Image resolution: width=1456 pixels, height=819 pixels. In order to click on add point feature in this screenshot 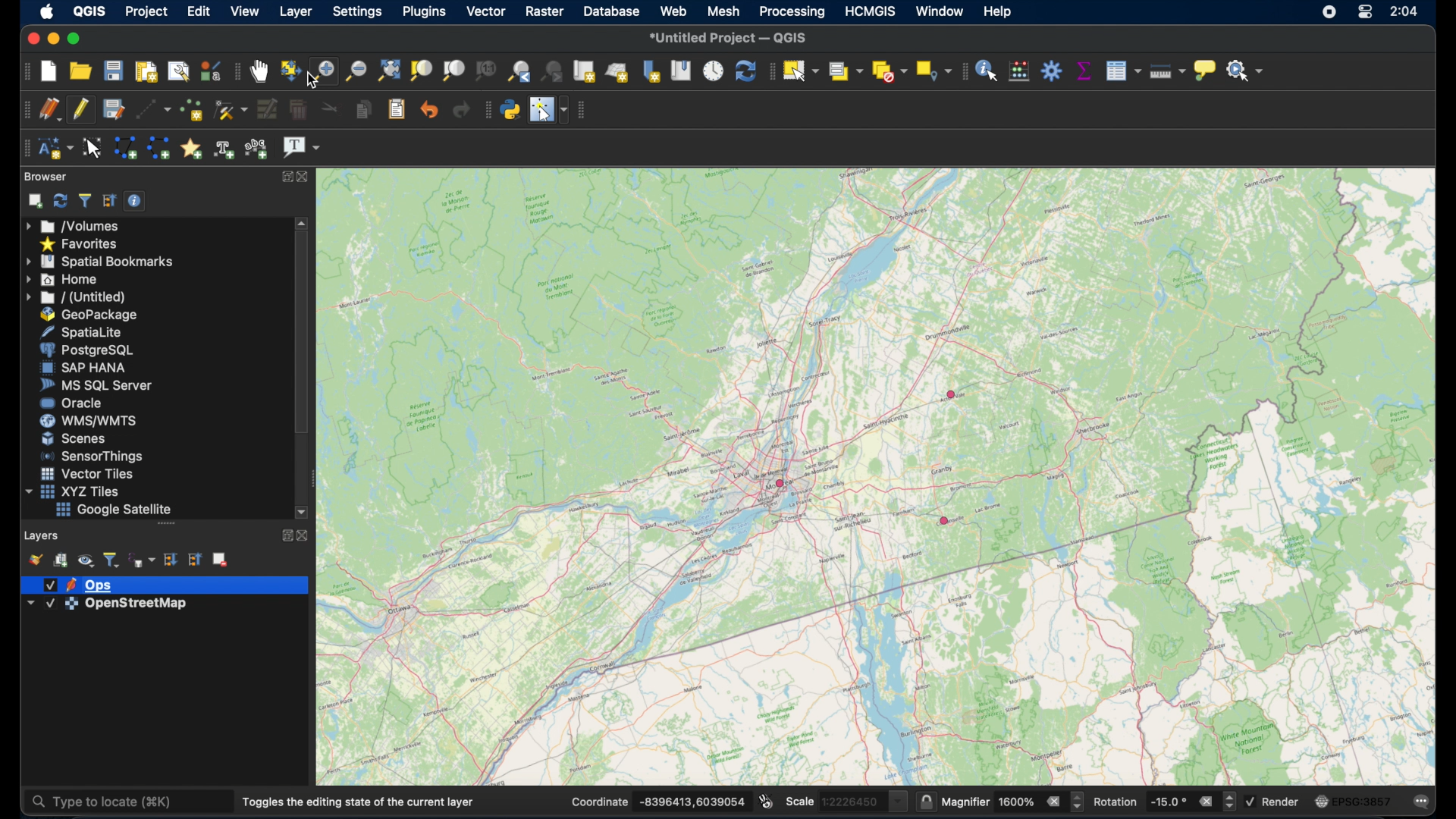, I will do `click(192, 110)`.